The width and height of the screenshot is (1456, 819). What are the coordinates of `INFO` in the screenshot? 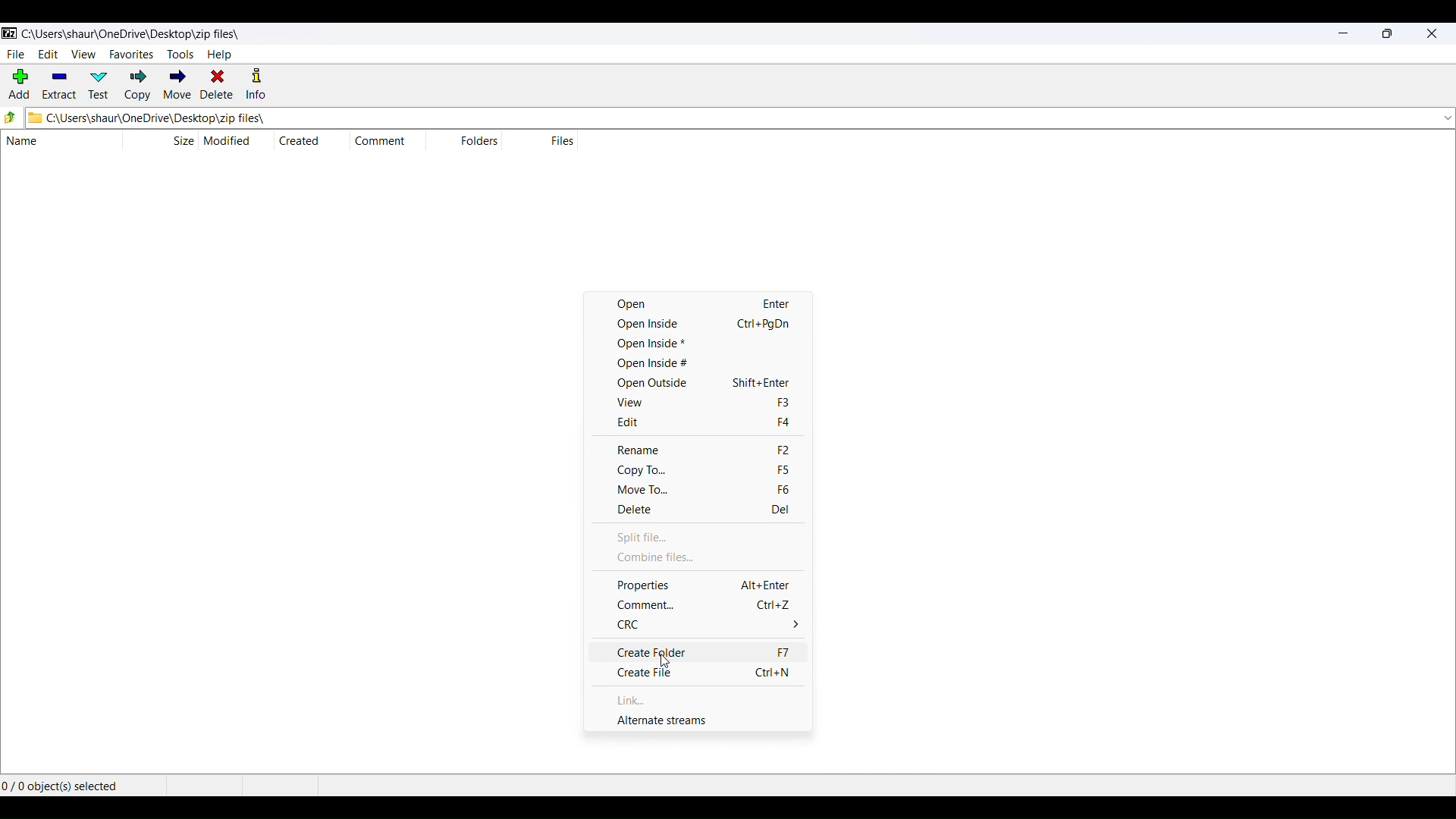 It's located at (259, 85).